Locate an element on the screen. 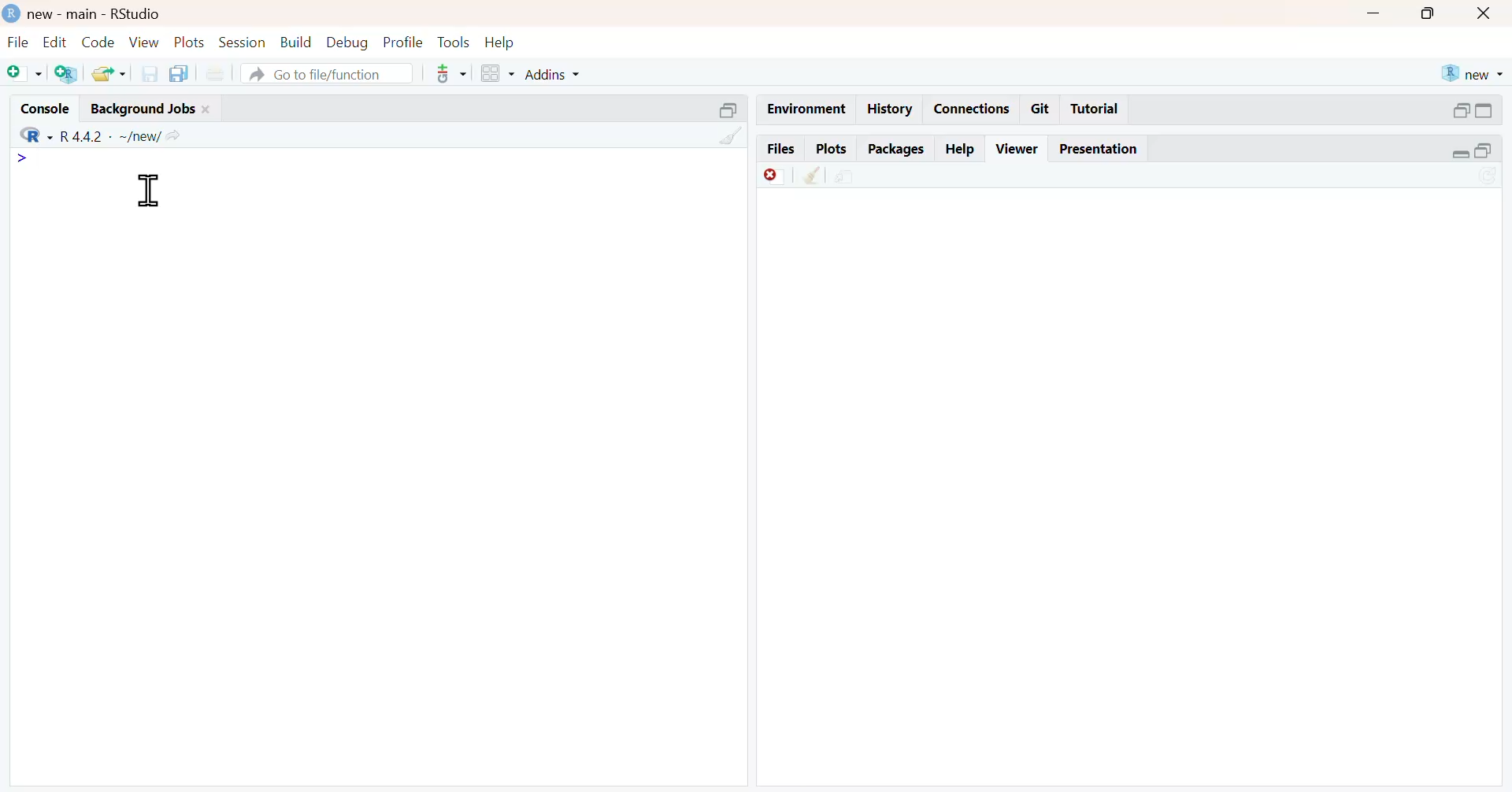 Image resolution: width=1512 pixels, height=792 pixels. background jobs is located at coordinates (139, 108).